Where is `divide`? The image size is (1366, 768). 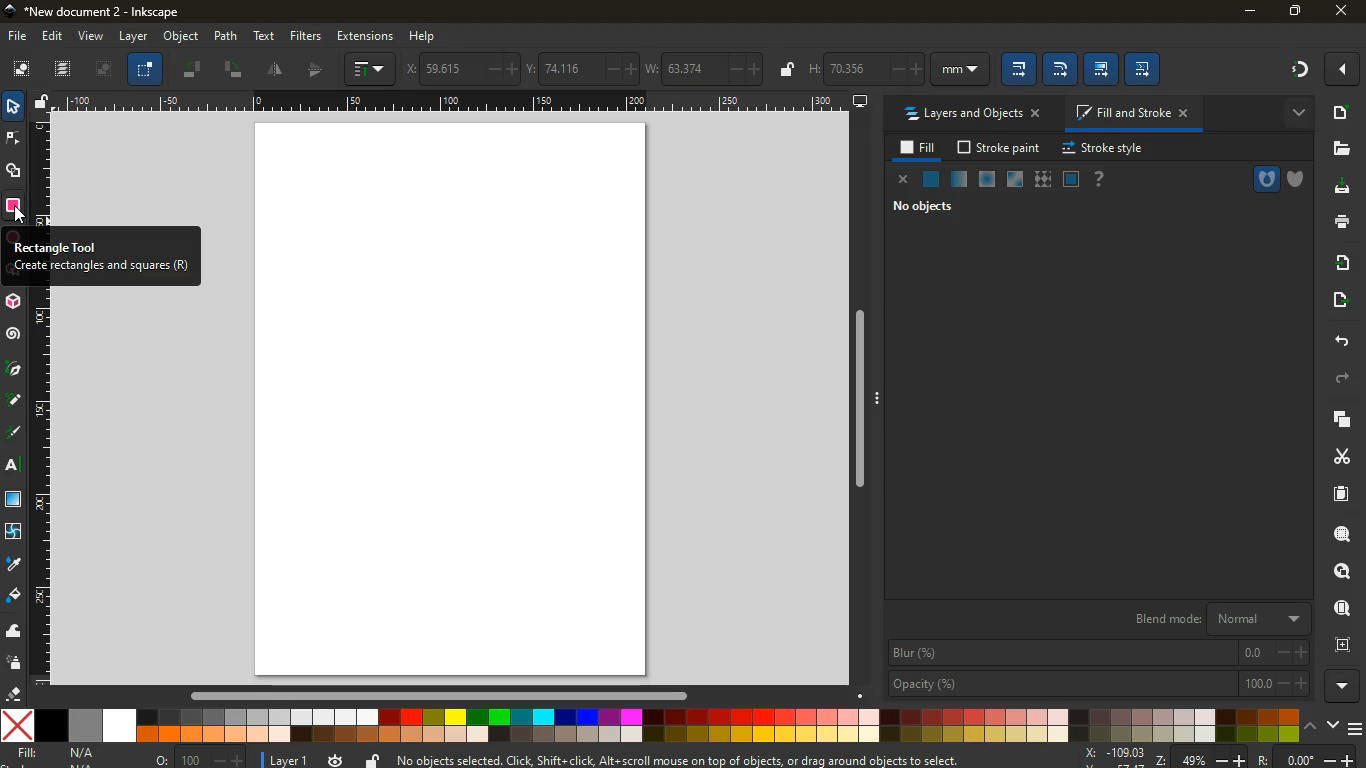
divide is located at coordinates (276, 71).